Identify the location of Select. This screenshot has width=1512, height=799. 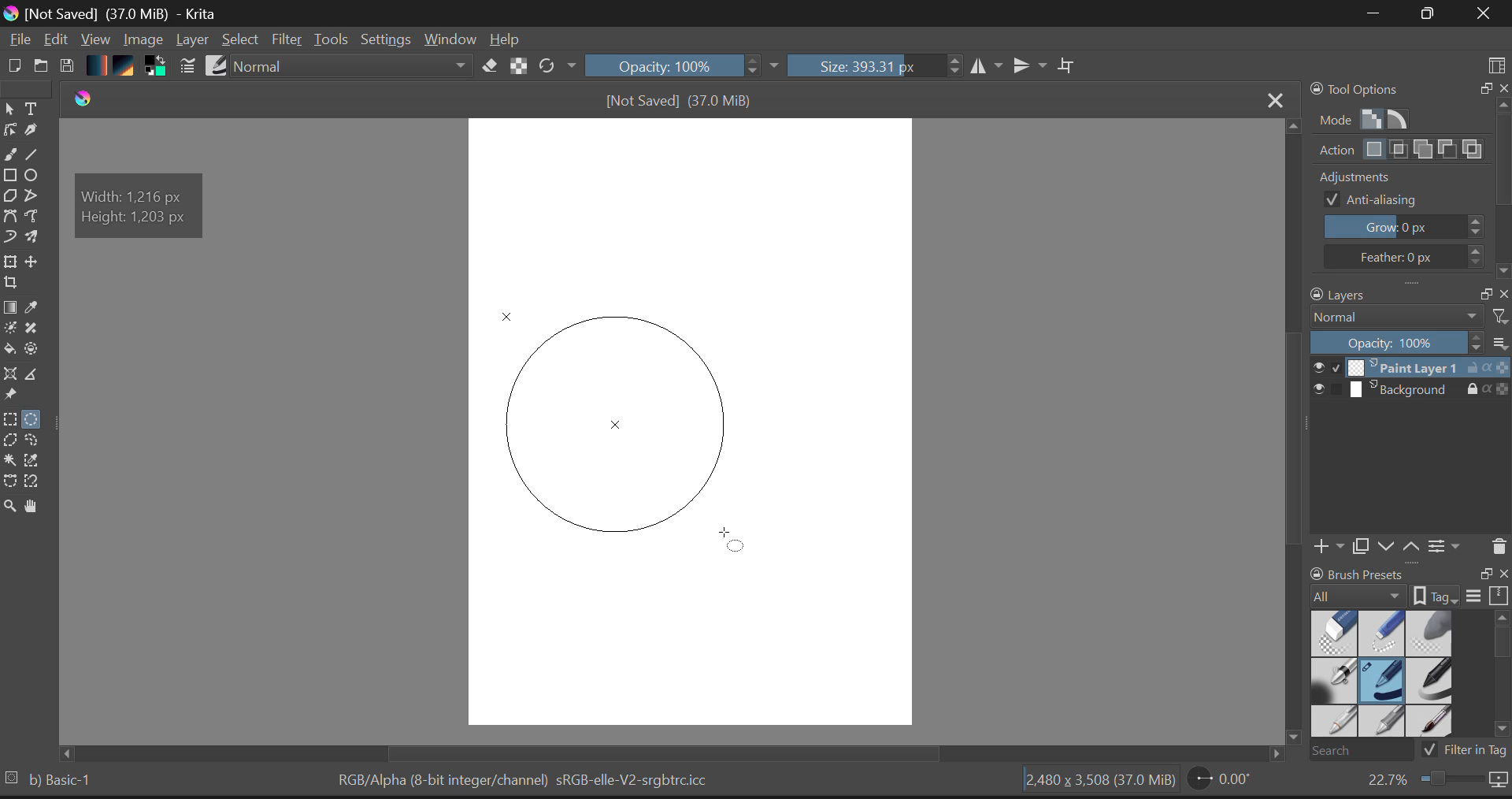
(243, 40).